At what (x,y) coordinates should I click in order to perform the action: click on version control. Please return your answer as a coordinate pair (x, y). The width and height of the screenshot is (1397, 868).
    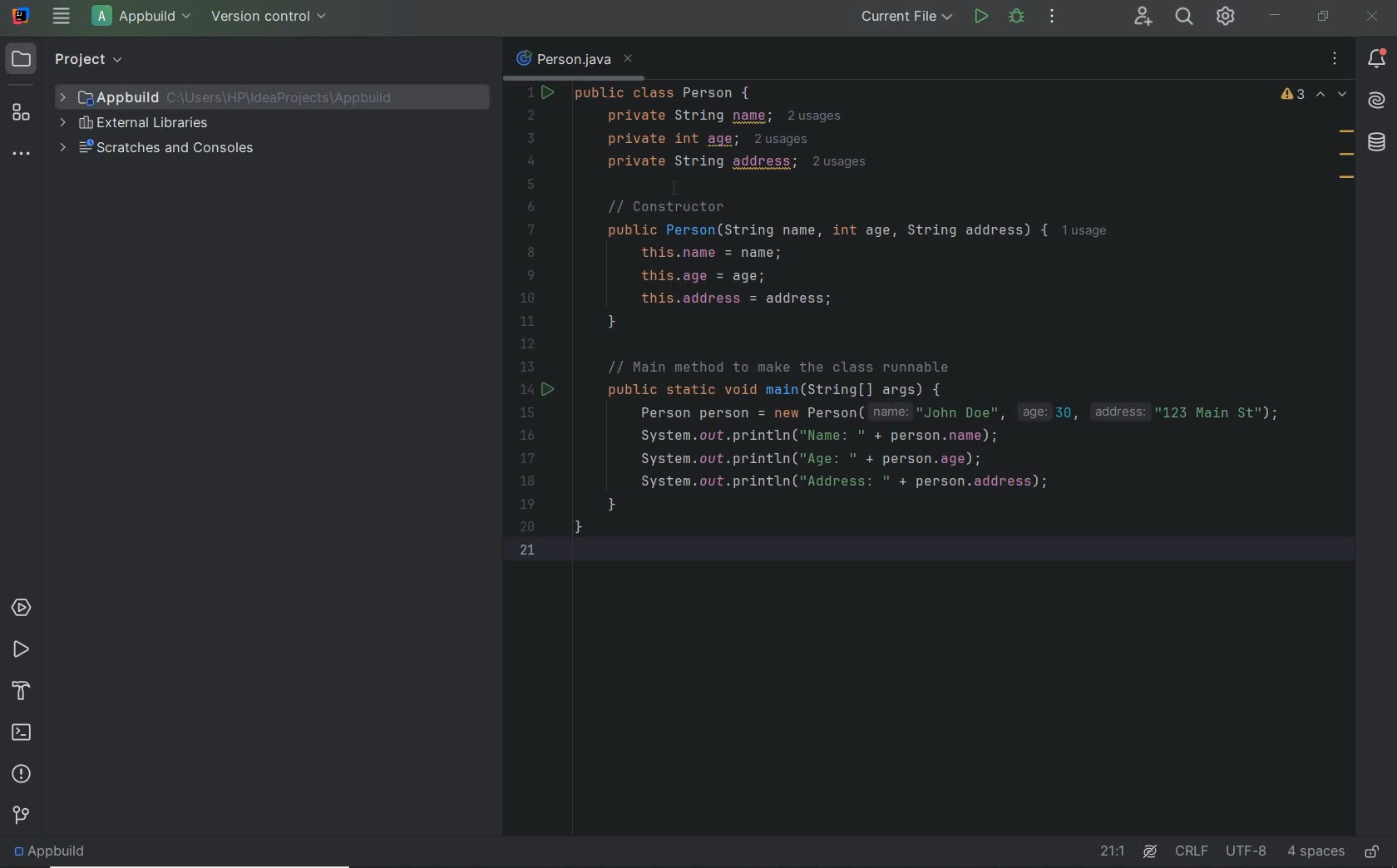
    Looking at the image, I should click on (22, 814).